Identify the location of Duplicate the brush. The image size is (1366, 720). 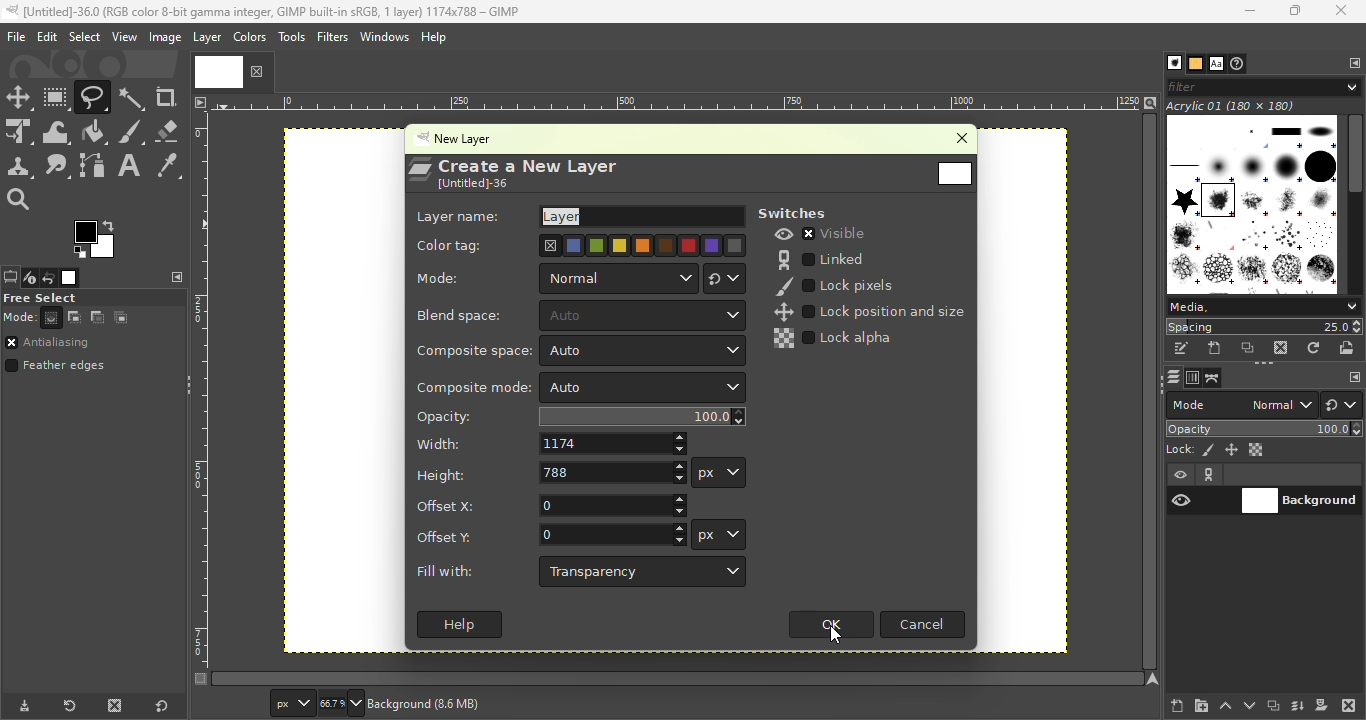
(1248, 350).